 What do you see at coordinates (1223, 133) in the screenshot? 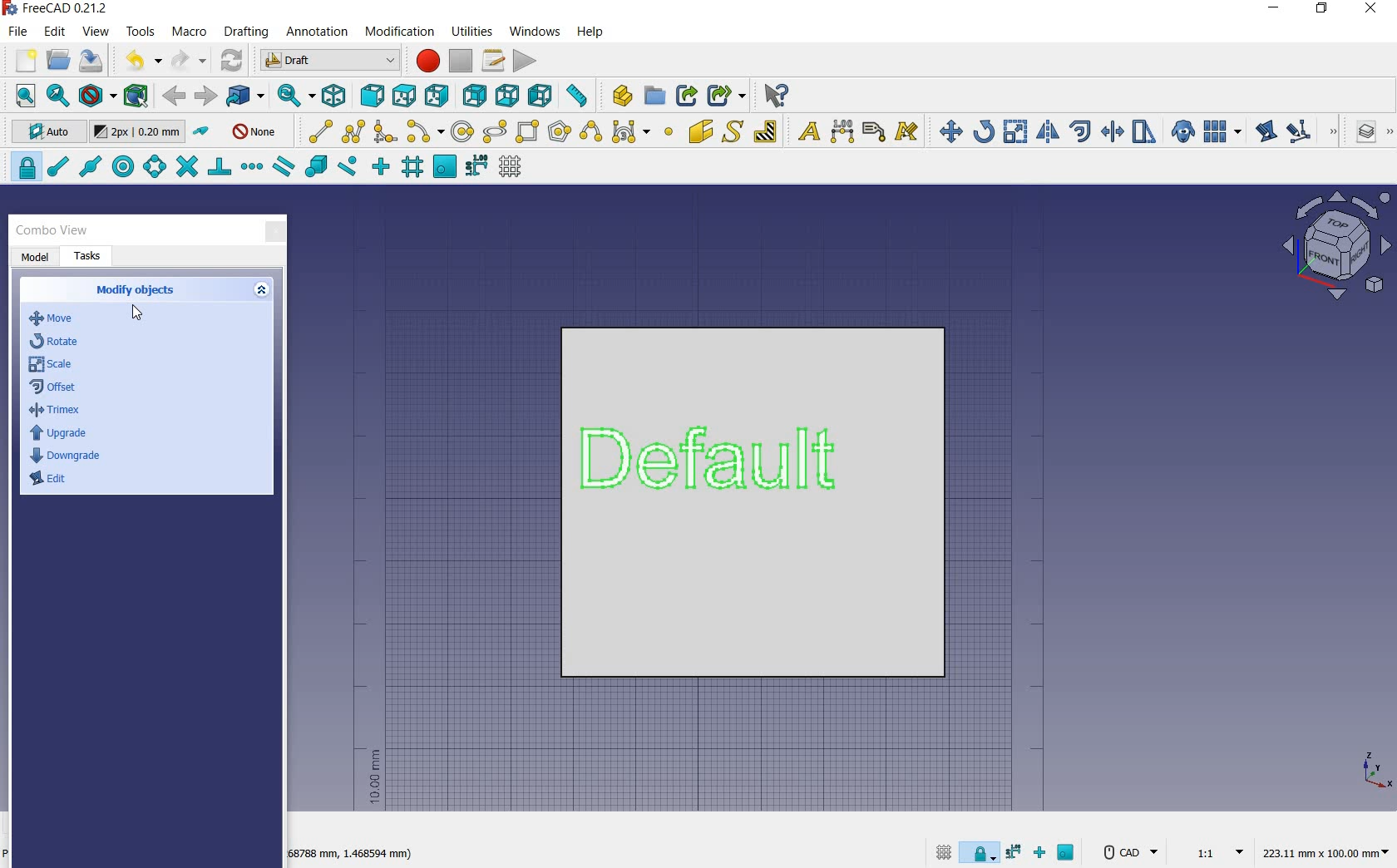
I see `array tools` at bounding box center [1223, 133].